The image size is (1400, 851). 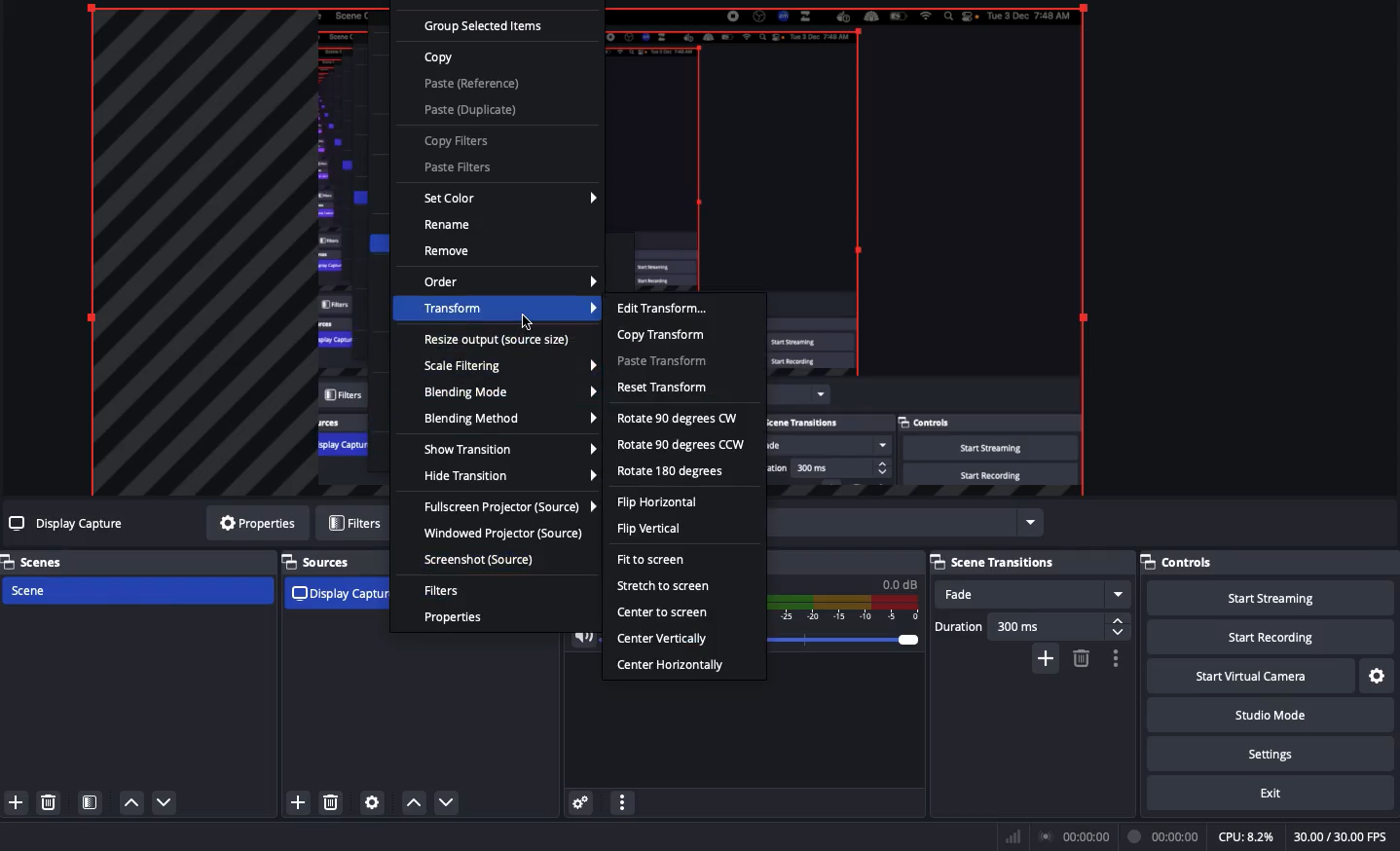 I want to click on Blending mode, so click(x=512, y=392).